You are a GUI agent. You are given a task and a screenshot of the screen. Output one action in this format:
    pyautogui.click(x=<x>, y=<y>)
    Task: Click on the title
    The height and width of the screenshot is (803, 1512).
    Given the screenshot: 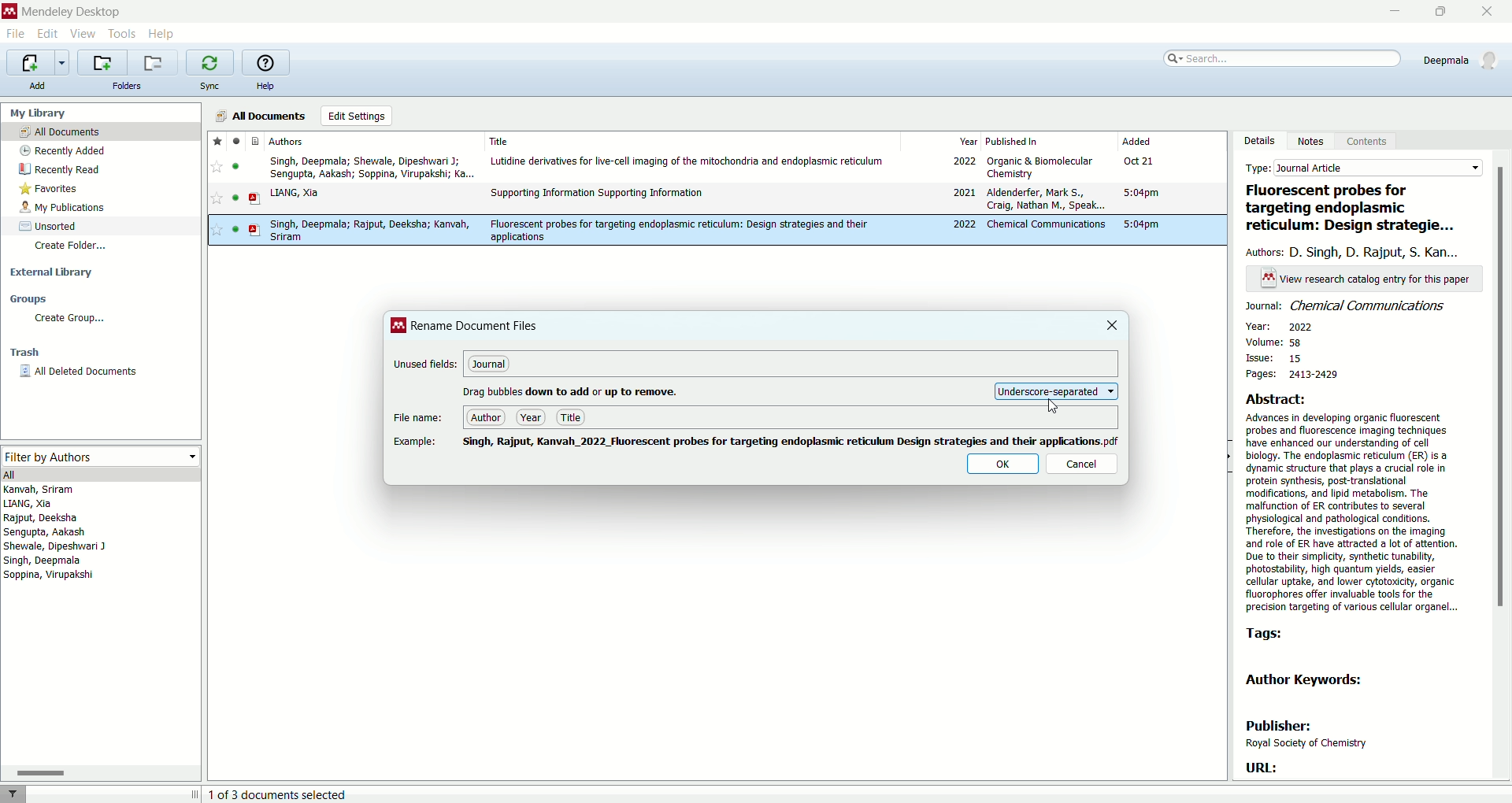 What is the action you would take?
    pyautogui.click(x=687, y=139)
    